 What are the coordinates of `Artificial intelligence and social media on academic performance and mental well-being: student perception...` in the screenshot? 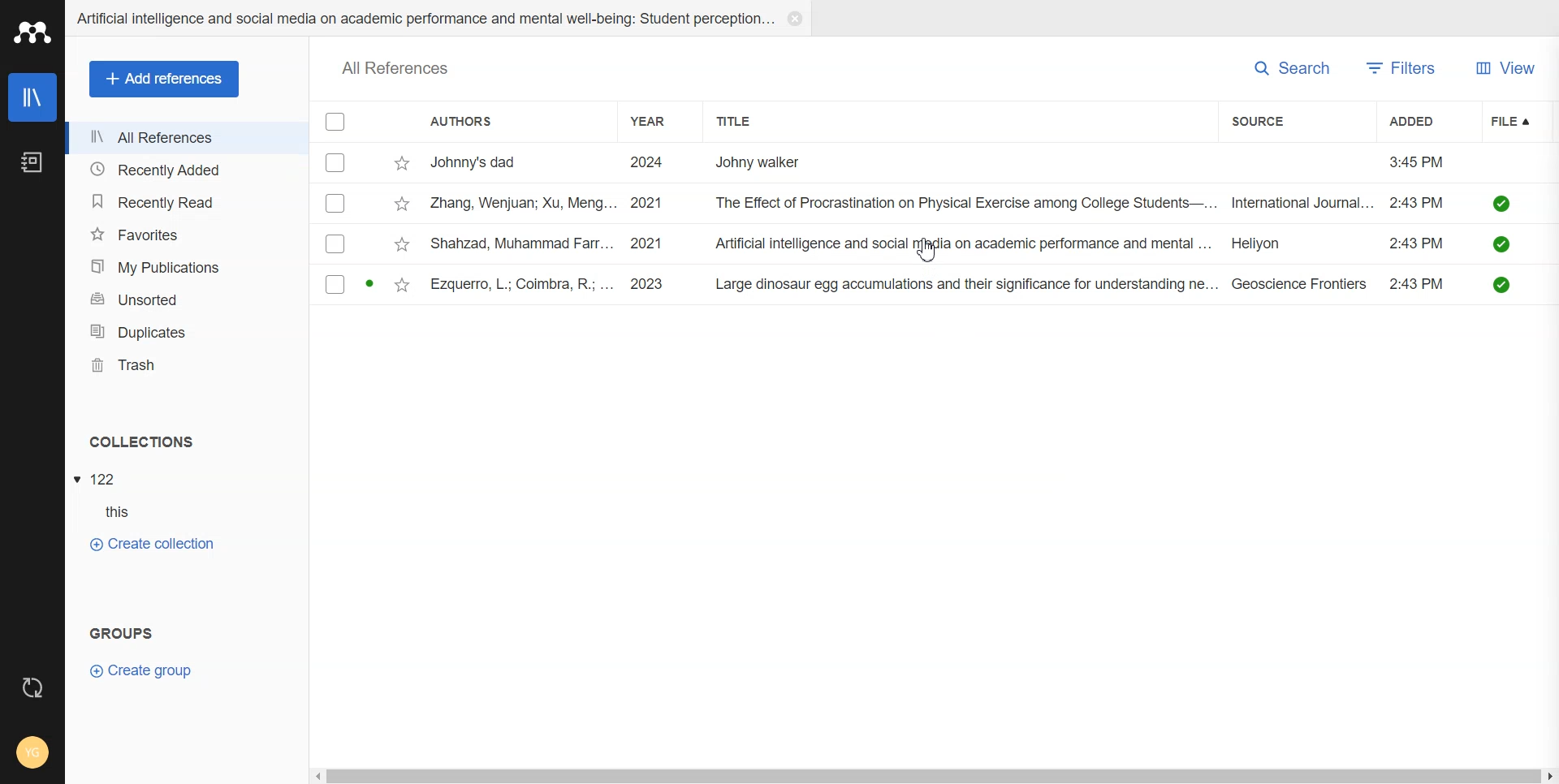 It's located at (424, 19).